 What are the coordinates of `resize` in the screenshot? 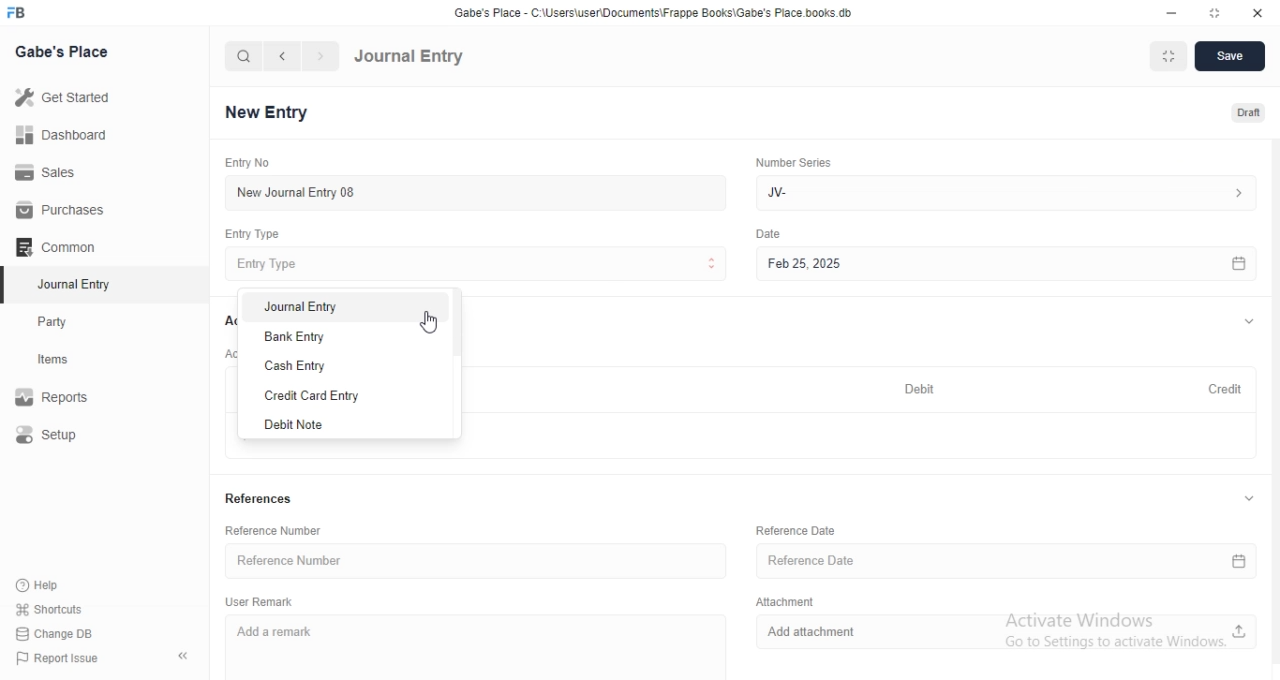 It's located at (1211, 12).